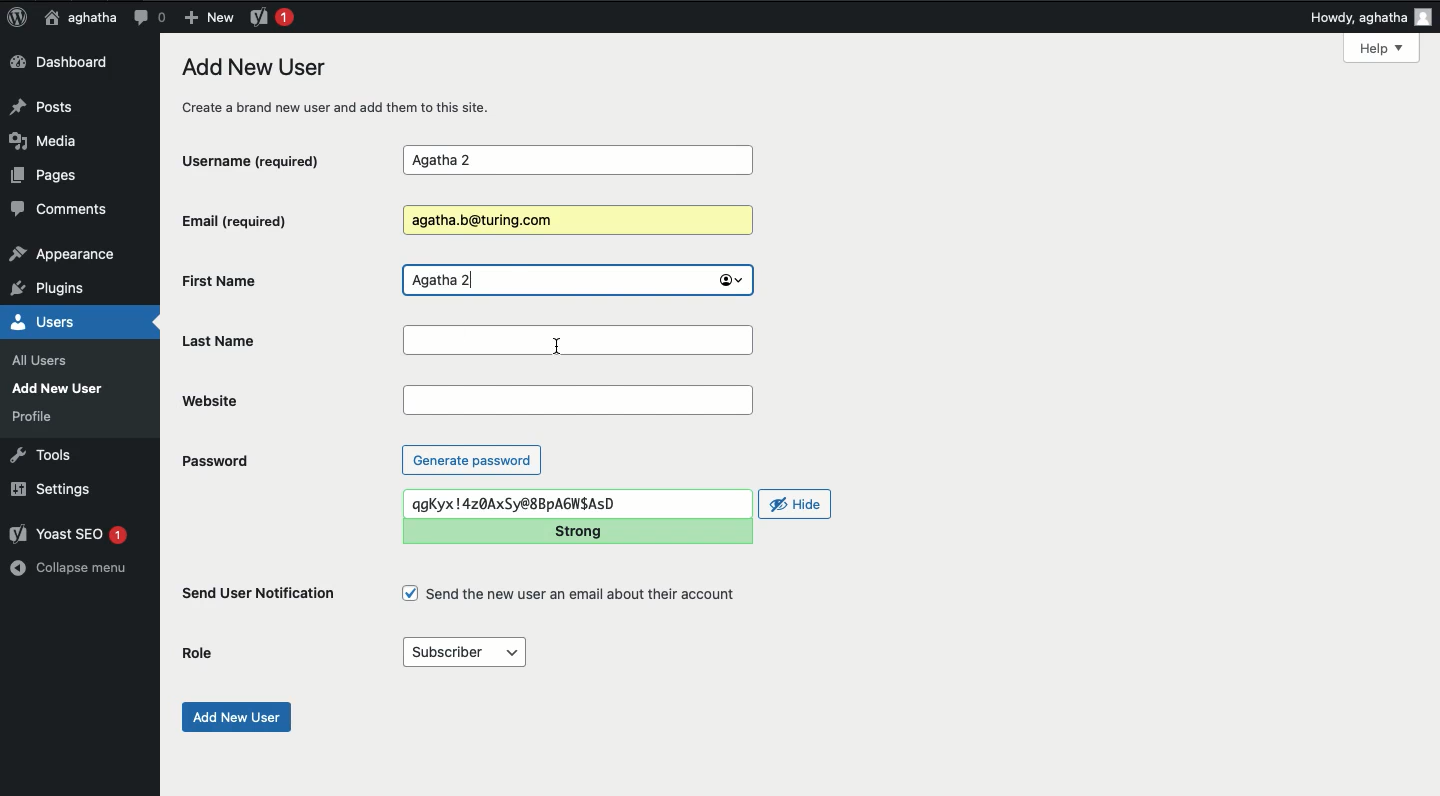 The image size is (1440, 796). What do you see at coordinates (796, 504) in the screenshot?
I see `Hide` at bounding box center [796, 504].